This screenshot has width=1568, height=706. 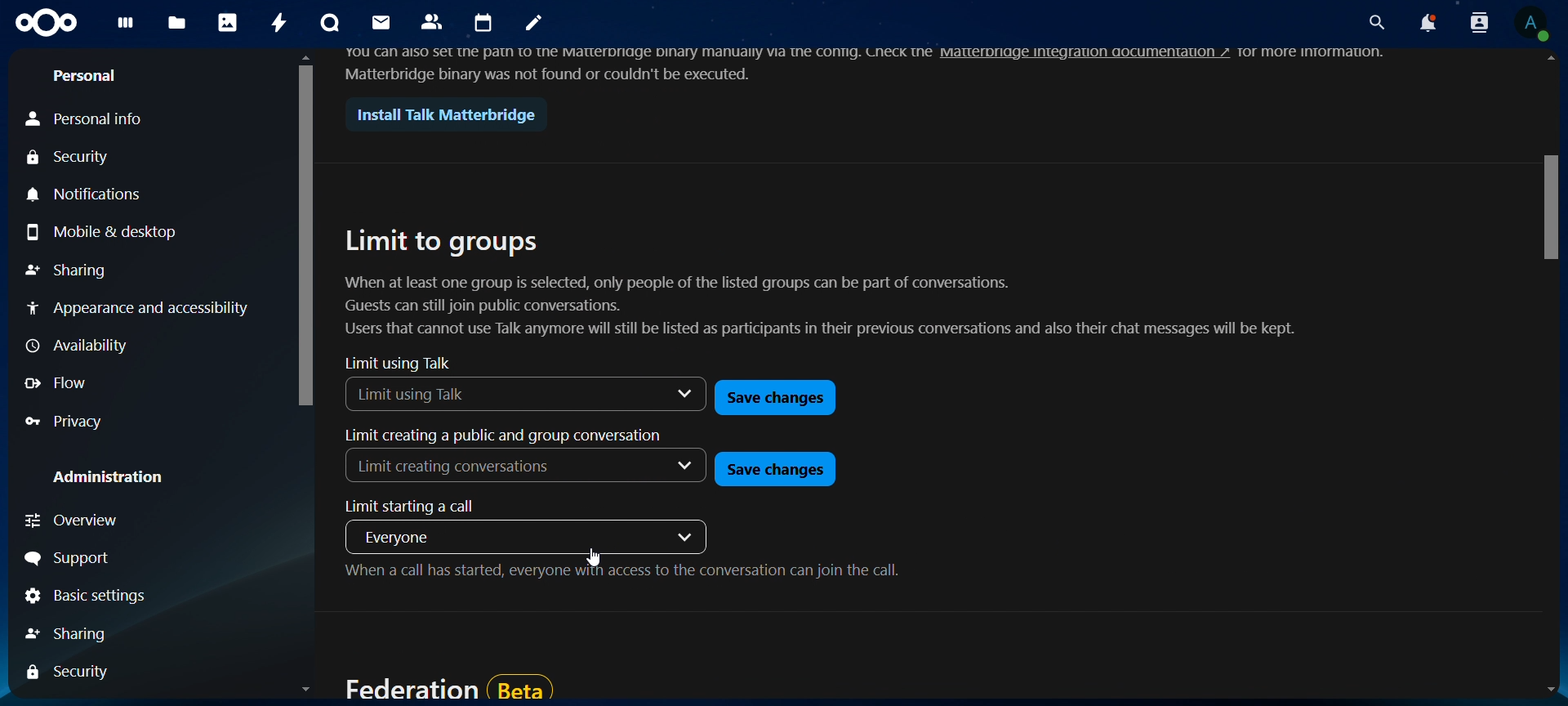 What do you see at coordinates (1543, 206) in the screenshot?
I see `vertical scroll bar` at bounding box center [1543, 206].